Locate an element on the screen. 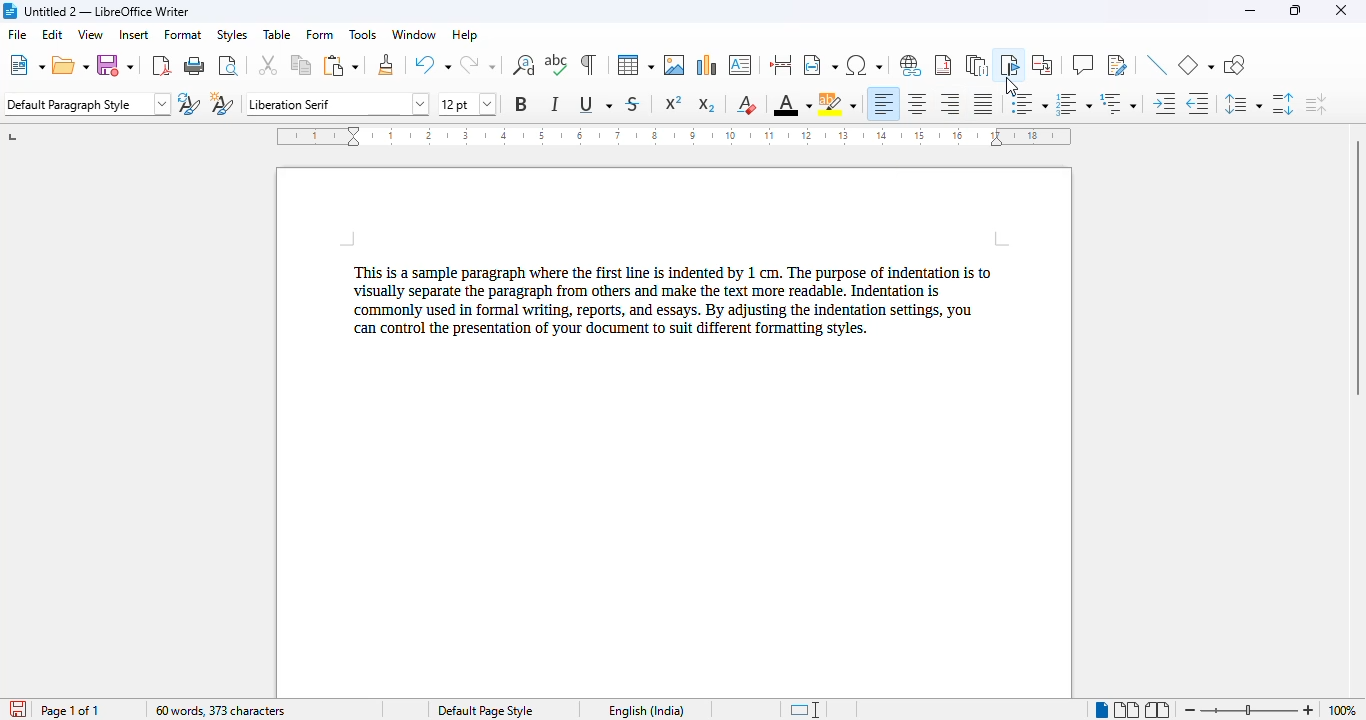 The image size is (1366, 720). paste is located at coordinates (342, 66).